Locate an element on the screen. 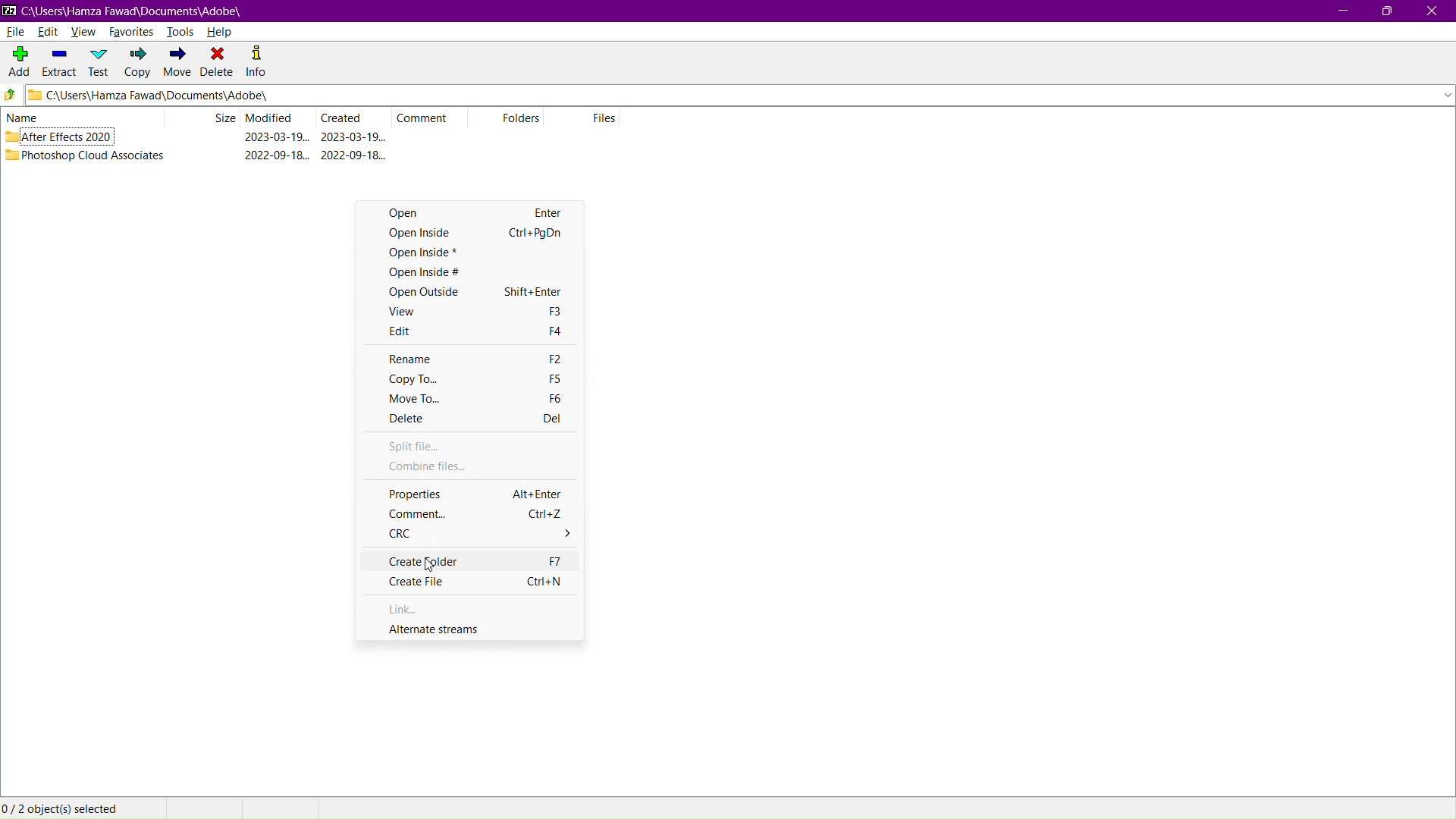 The height and width of the screenshot is (819, 1456). Copy is located at coordinates (135, 63).